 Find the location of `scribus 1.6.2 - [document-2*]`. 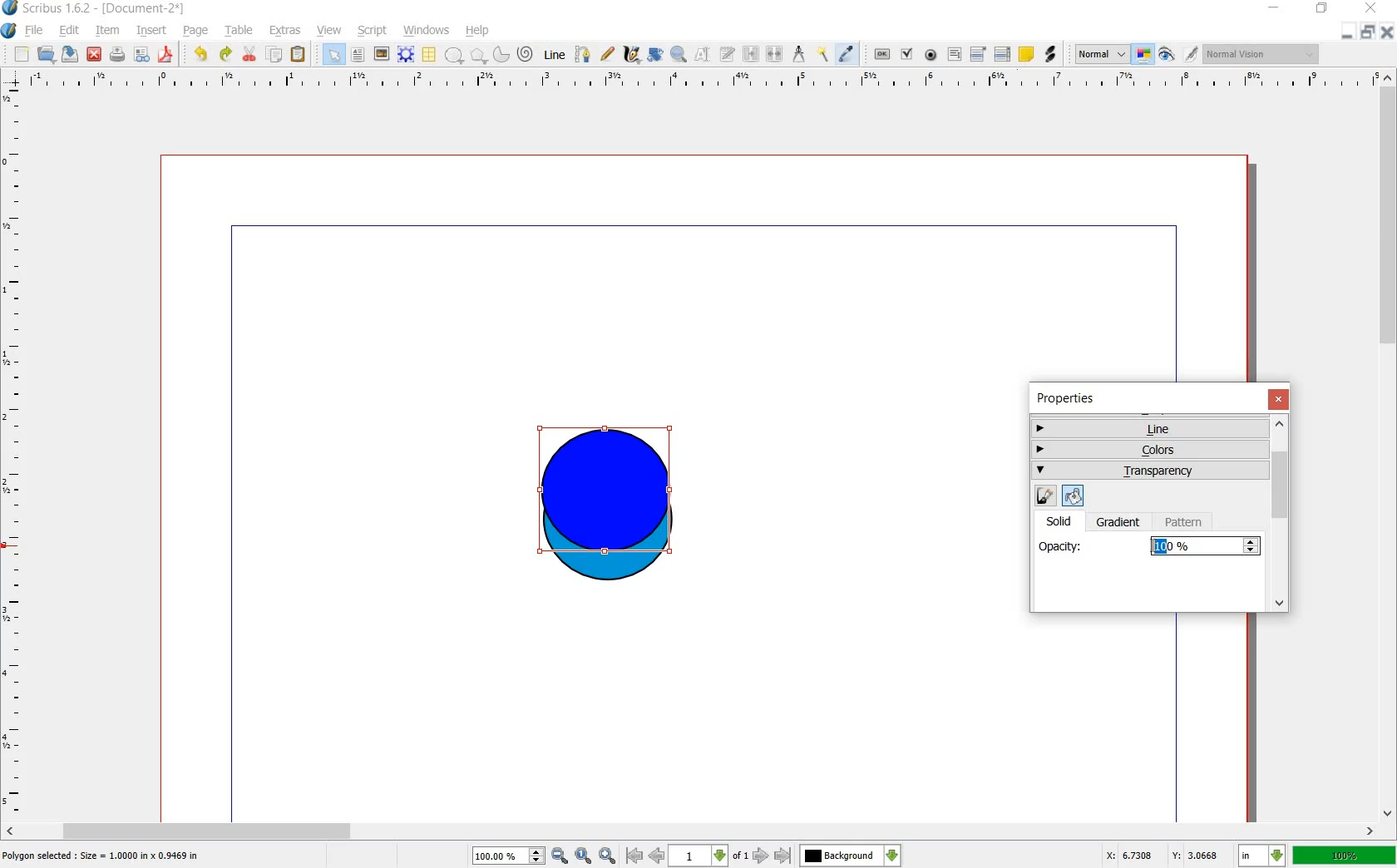

scribus 1.6.2 - [document-2*] is located at coordinates (106, 8).